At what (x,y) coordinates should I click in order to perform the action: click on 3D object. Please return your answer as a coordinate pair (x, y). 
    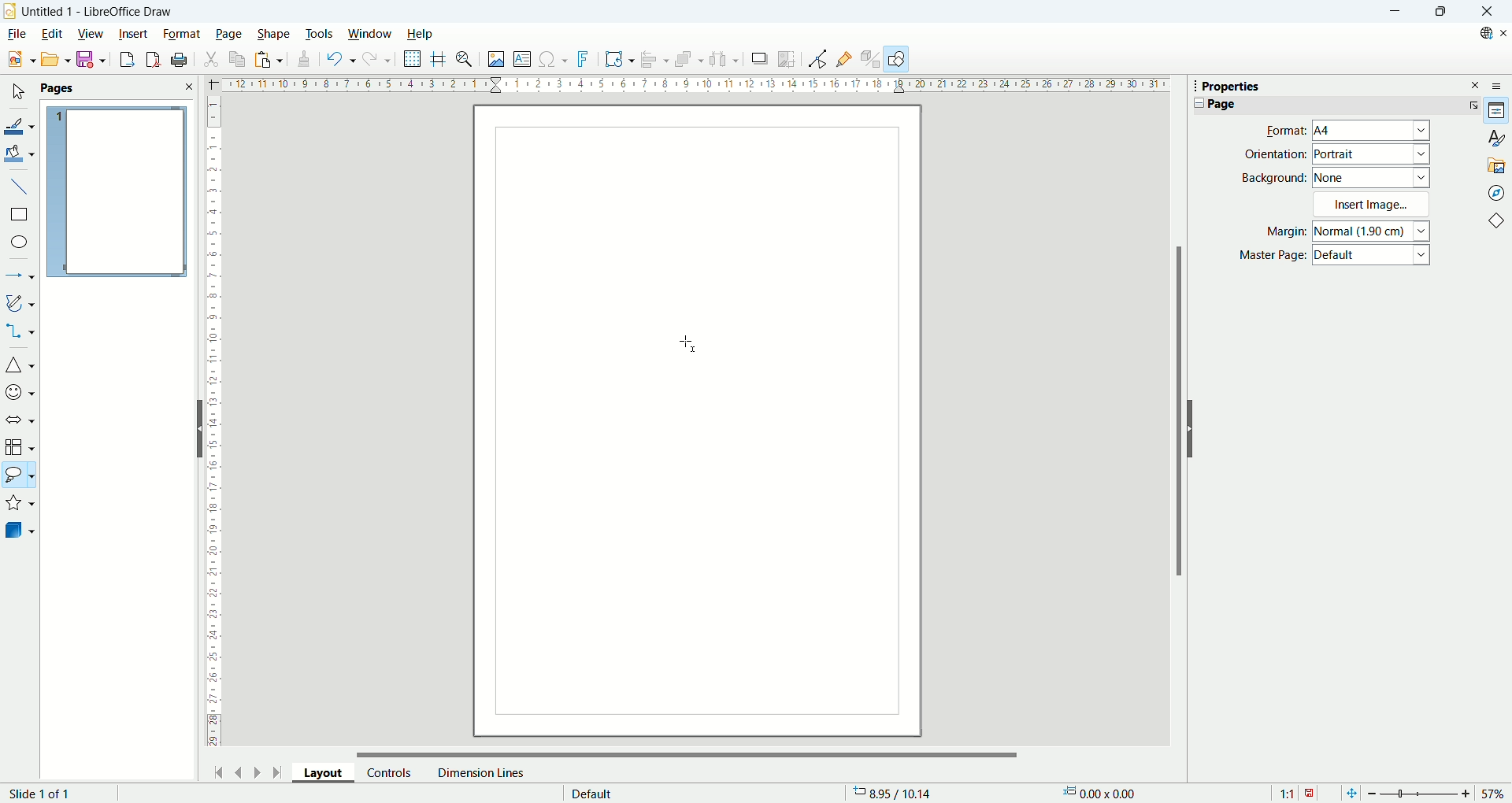
    Looking at the image, I should click on (21, 531).